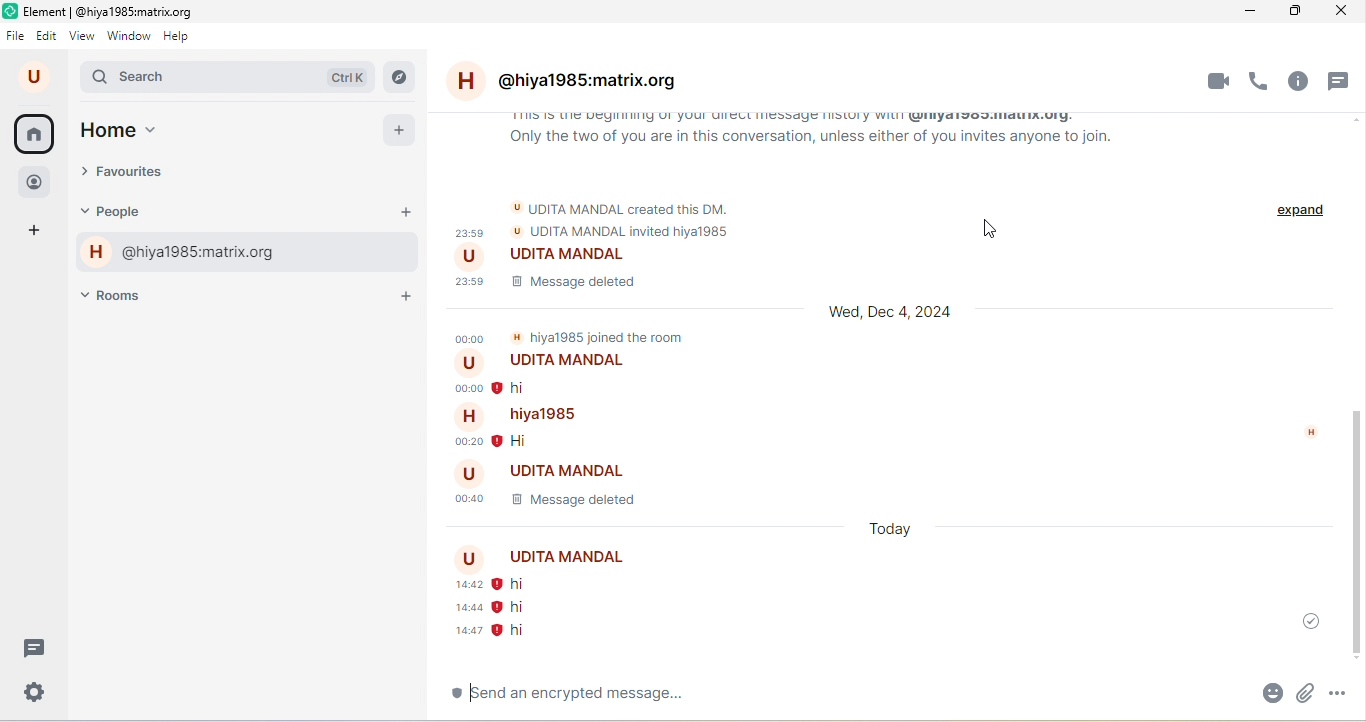  What do you see at coordinates (810, 135) in the screenshot?
I see `text on conversation` at bounding box center [810, 135].